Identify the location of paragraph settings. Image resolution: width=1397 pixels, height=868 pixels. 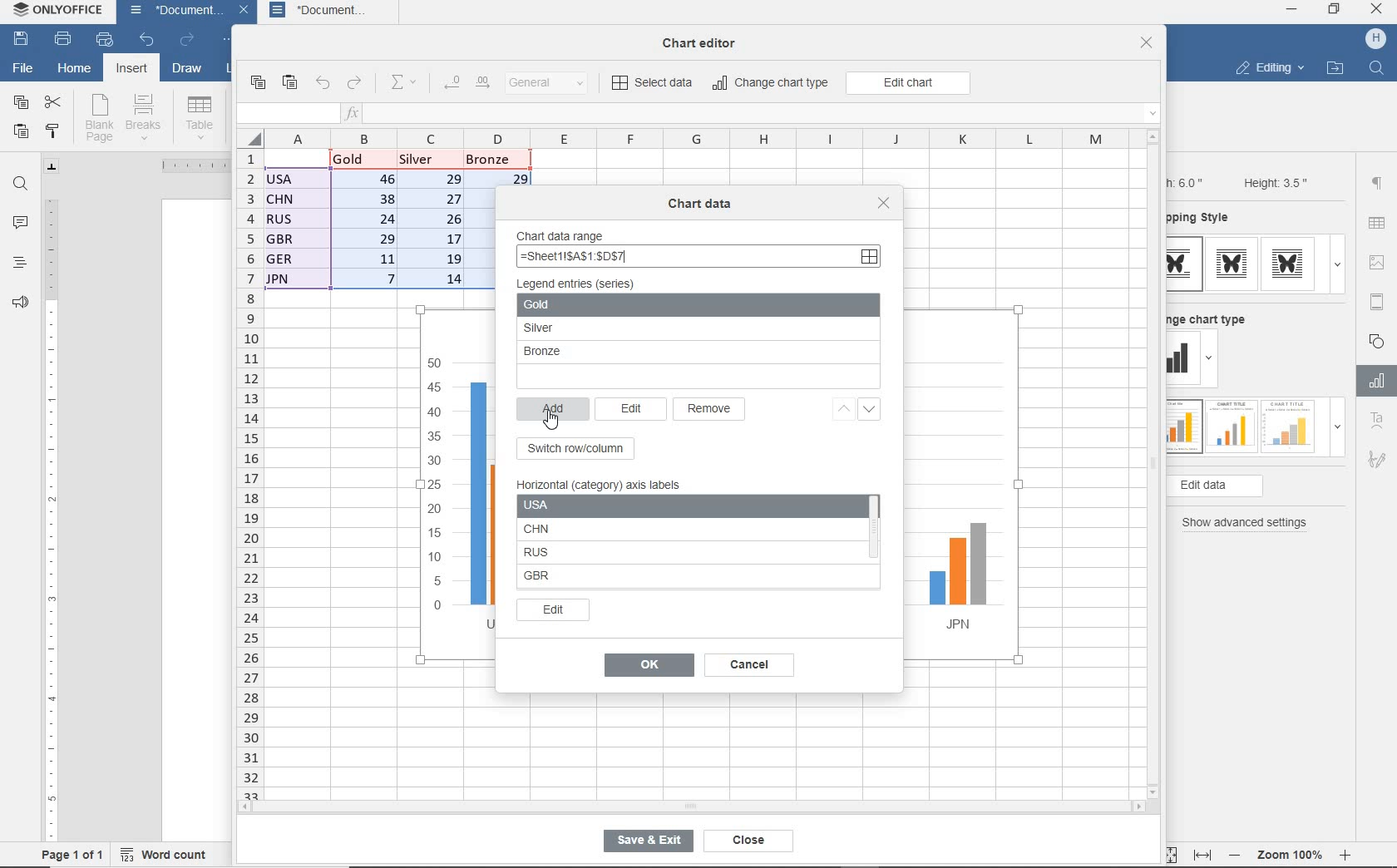
(1377, 183).